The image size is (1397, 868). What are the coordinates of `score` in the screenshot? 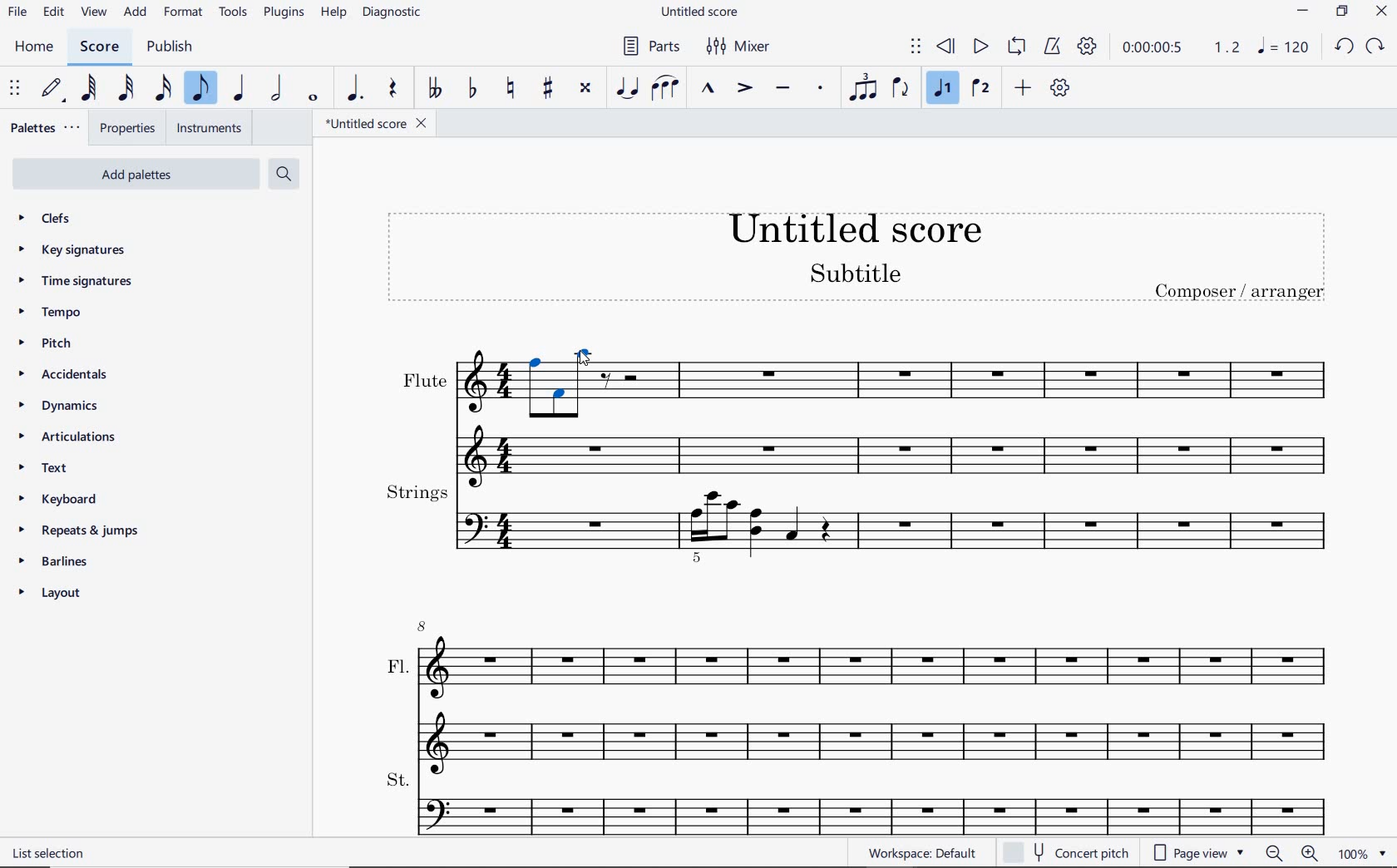 It's located at (97, 47).